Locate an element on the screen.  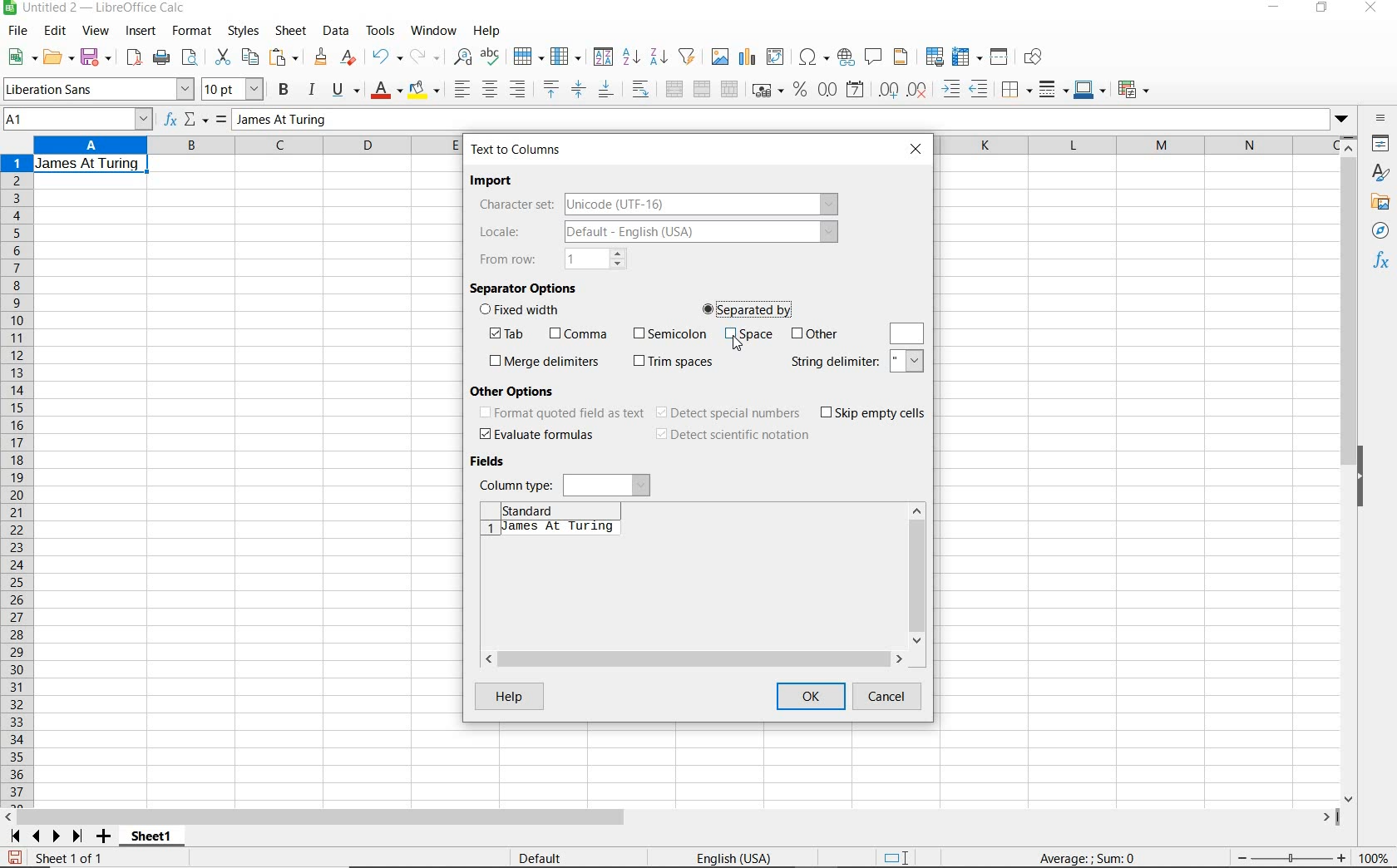
help is located at coordinates (511, 698).